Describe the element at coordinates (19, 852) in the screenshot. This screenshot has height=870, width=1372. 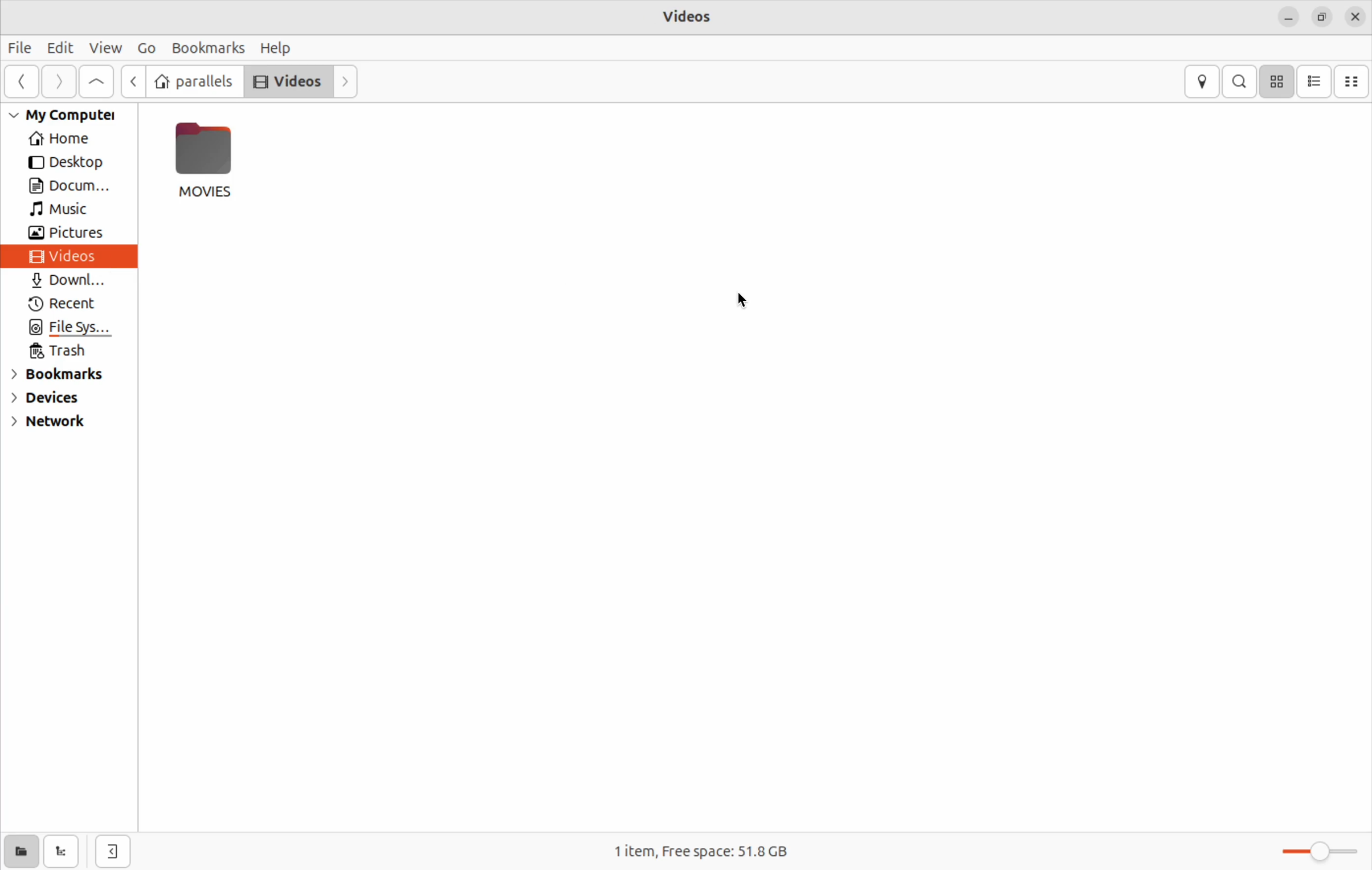
I see `show places` at that location.